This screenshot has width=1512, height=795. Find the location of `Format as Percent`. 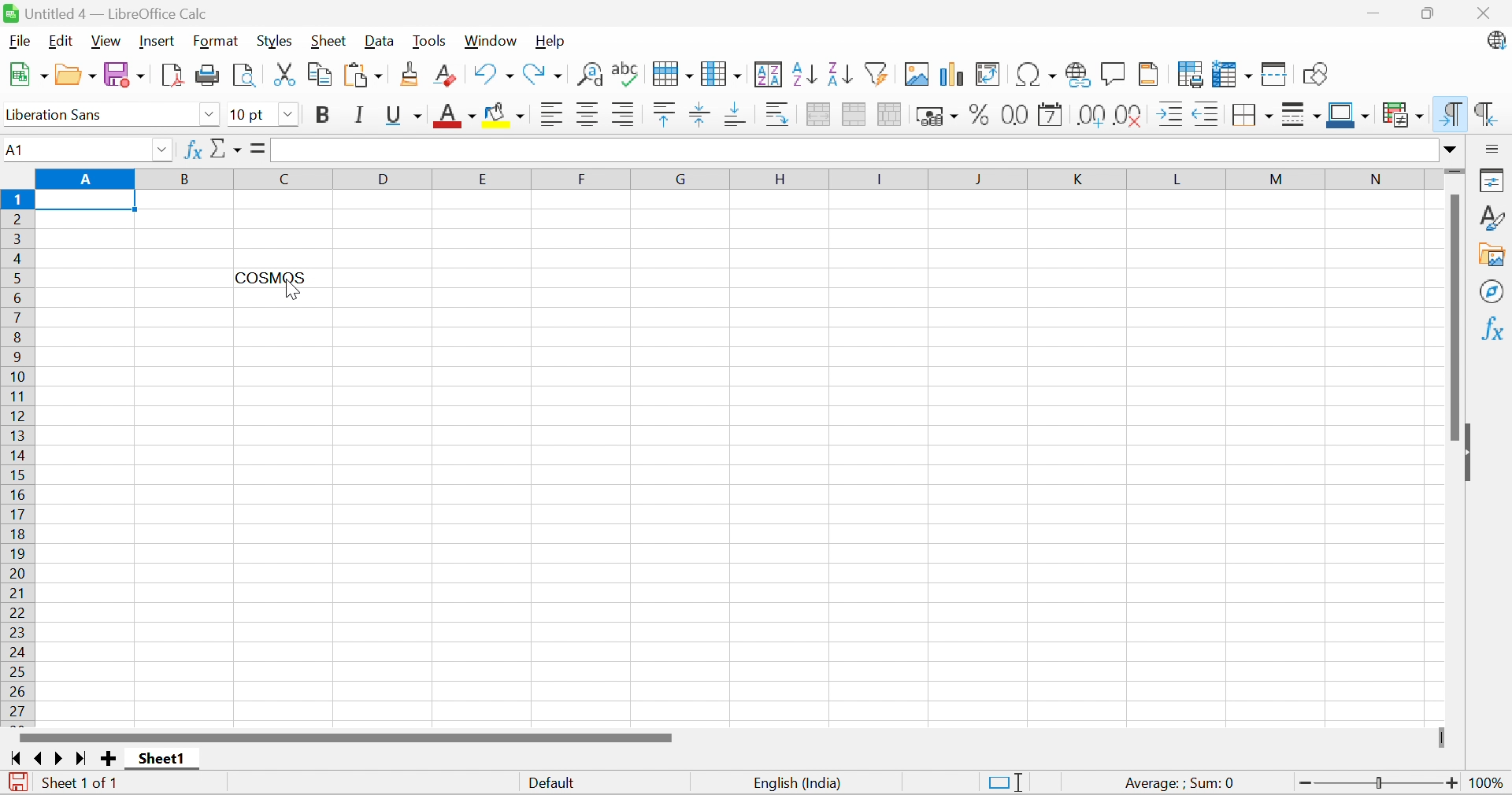

Format as Percent is located at coordinates (977, 115).